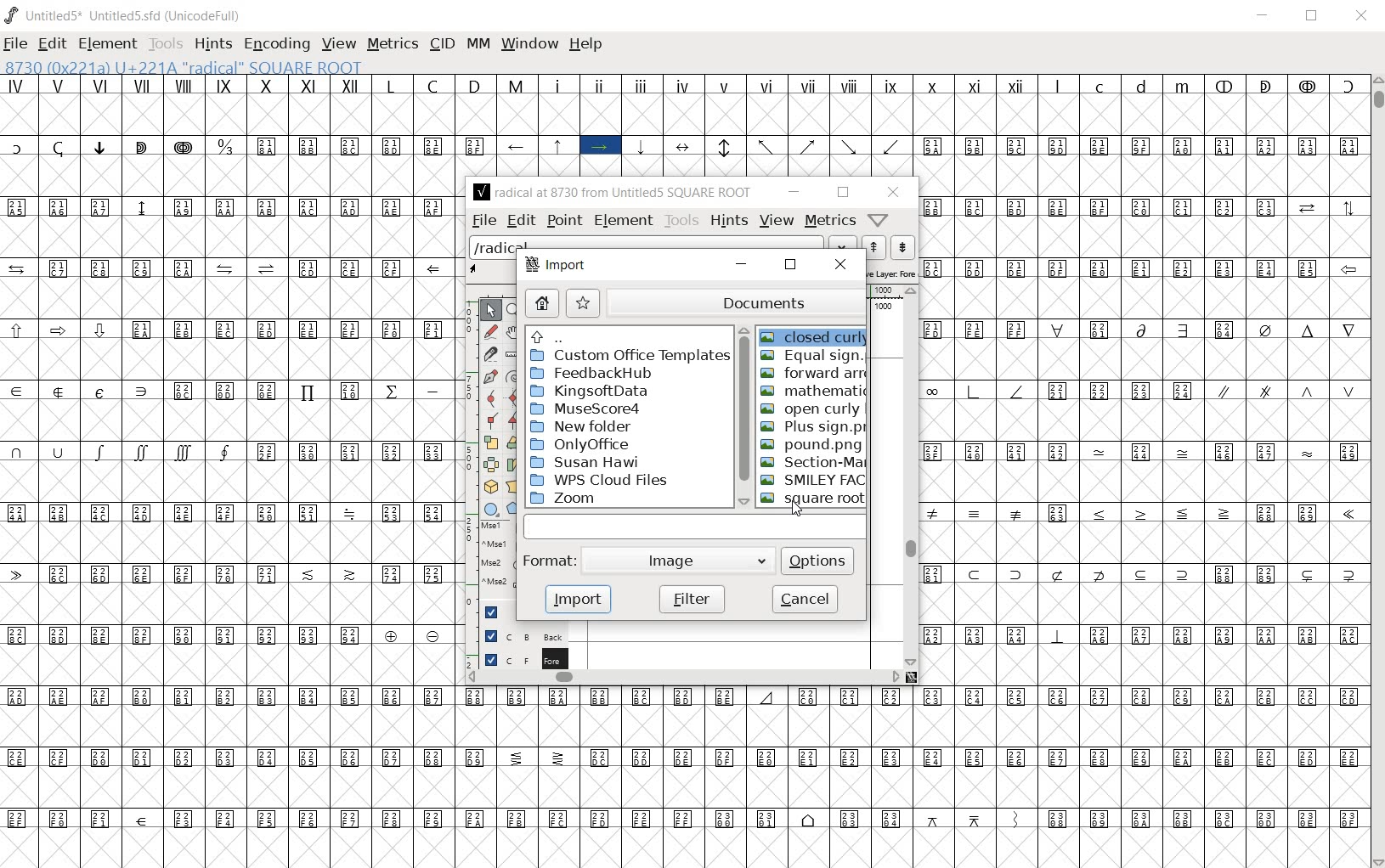  What do you see at coordinates (490, 488) in the screenshot?
I see `rotate the selection in 3D and project back to plane` at bounding box center [490, 488].